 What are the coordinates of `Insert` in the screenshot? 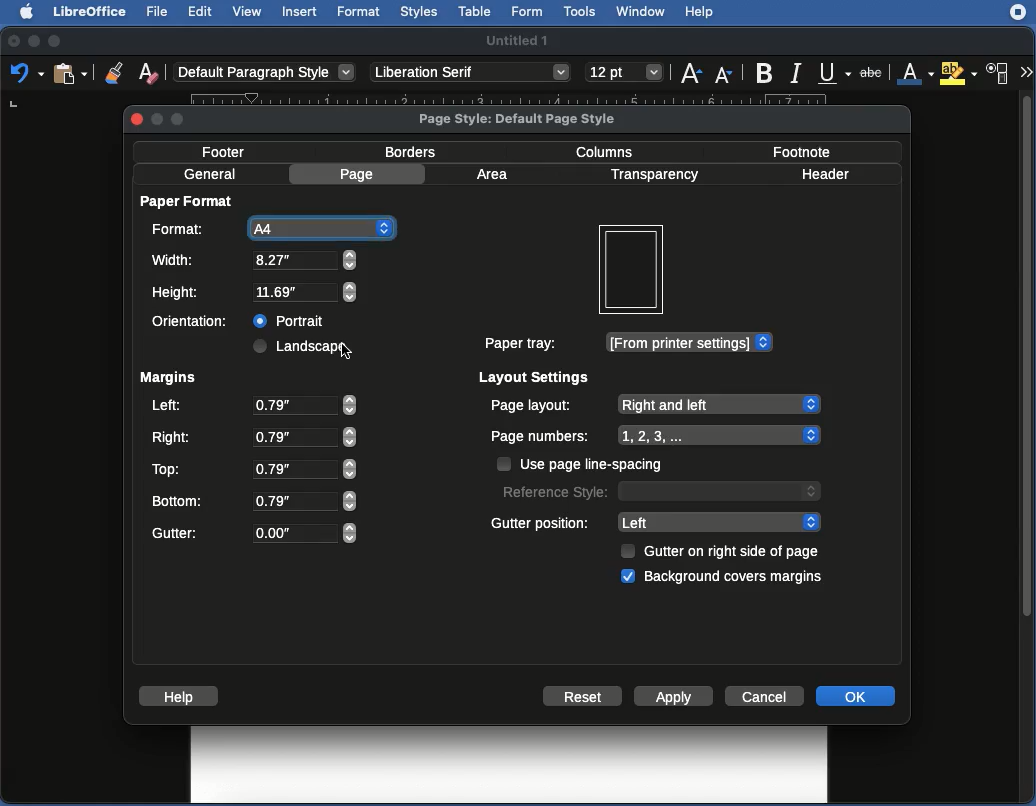 It's located at (300, 12).